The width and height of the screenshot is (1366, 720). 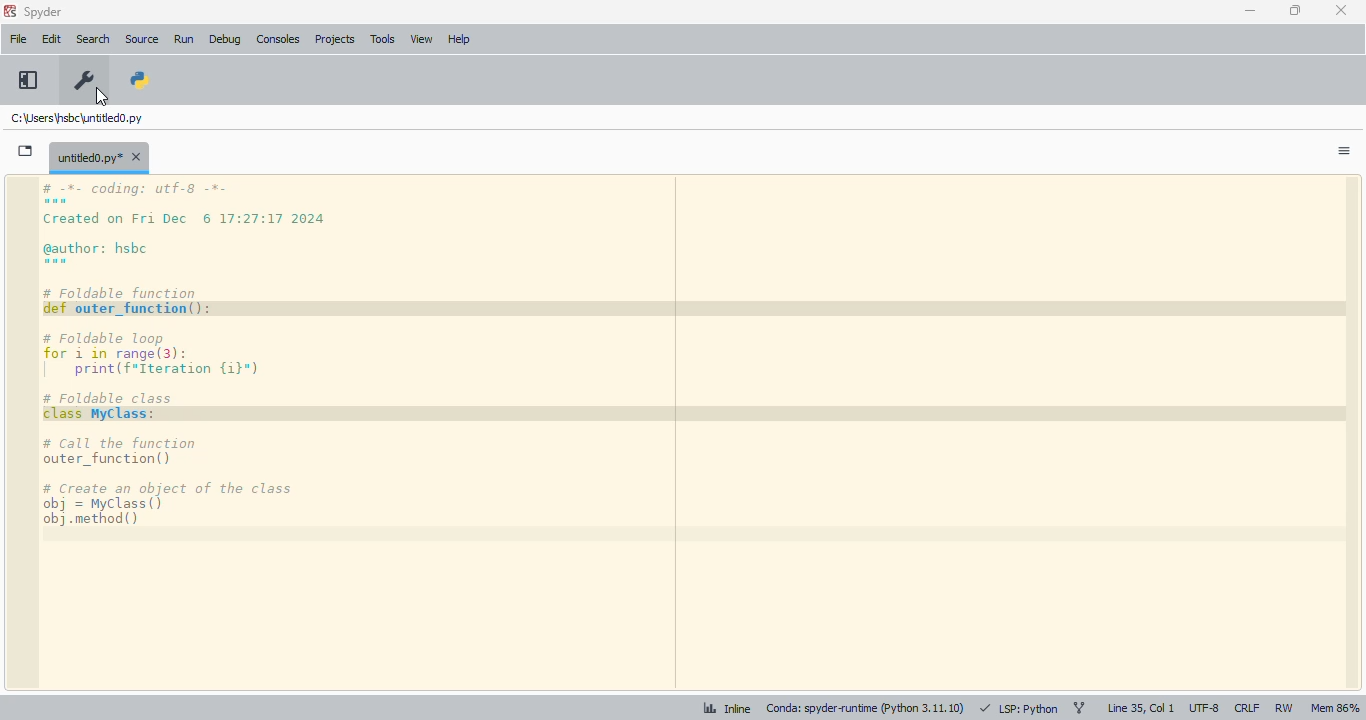 I want to click on untitled0.py, so click(x=99, y=156).